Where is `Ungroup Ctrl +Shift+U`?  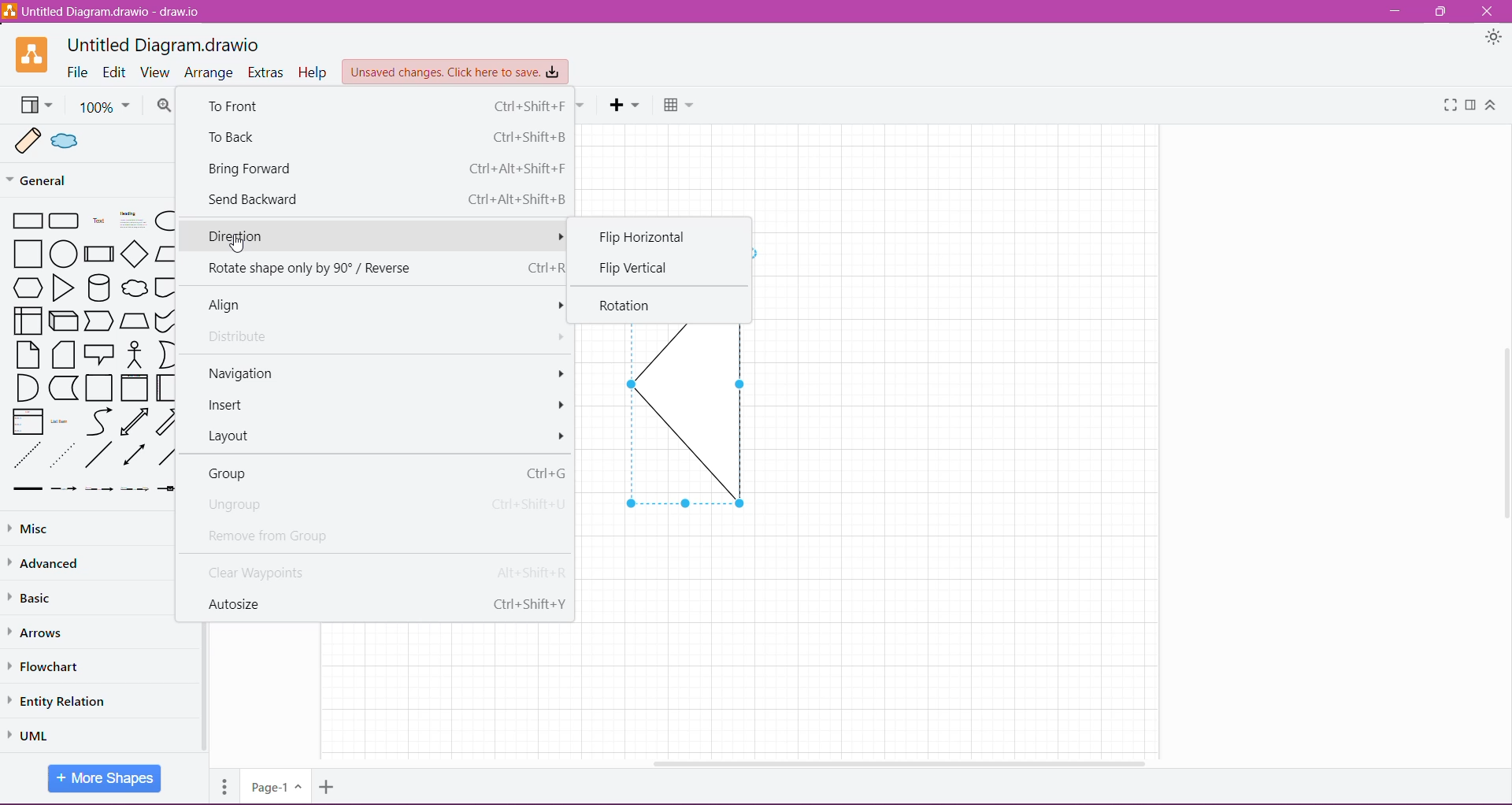
Ungroup Ctrl +Shift+U is located at coordinates (387, 506).